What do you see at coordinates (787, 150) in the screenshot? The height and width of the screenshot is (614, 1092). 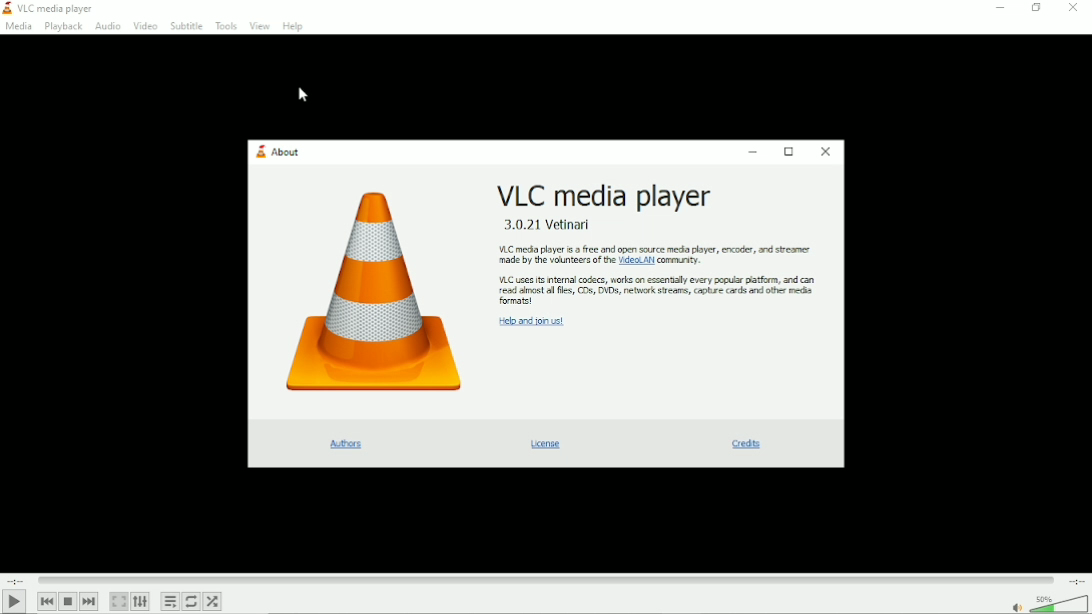 I see `Maximize` at bounding box center [787, 150].